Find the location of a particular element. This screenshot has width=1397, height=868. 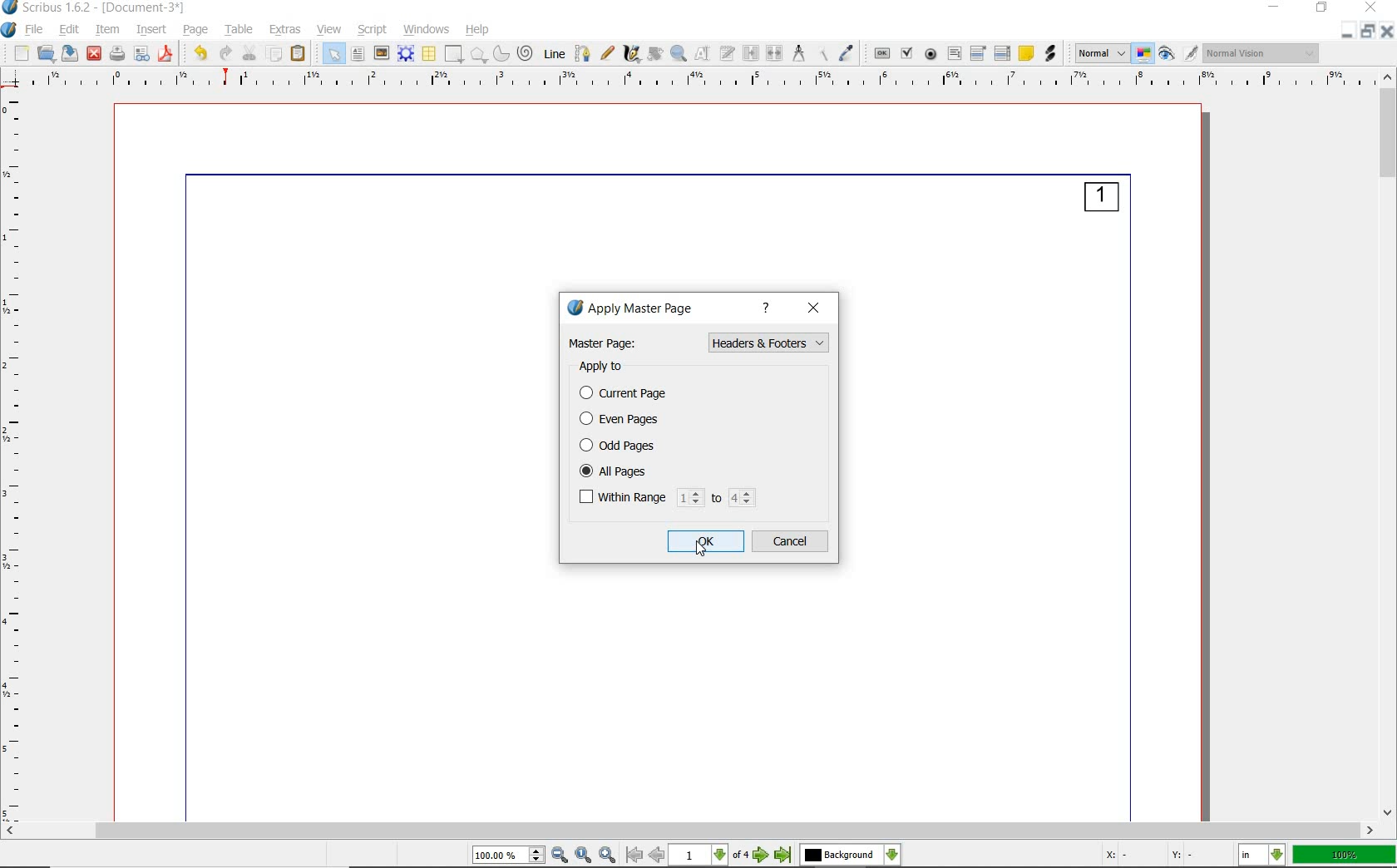

ok is located at coordinates (706, 541).